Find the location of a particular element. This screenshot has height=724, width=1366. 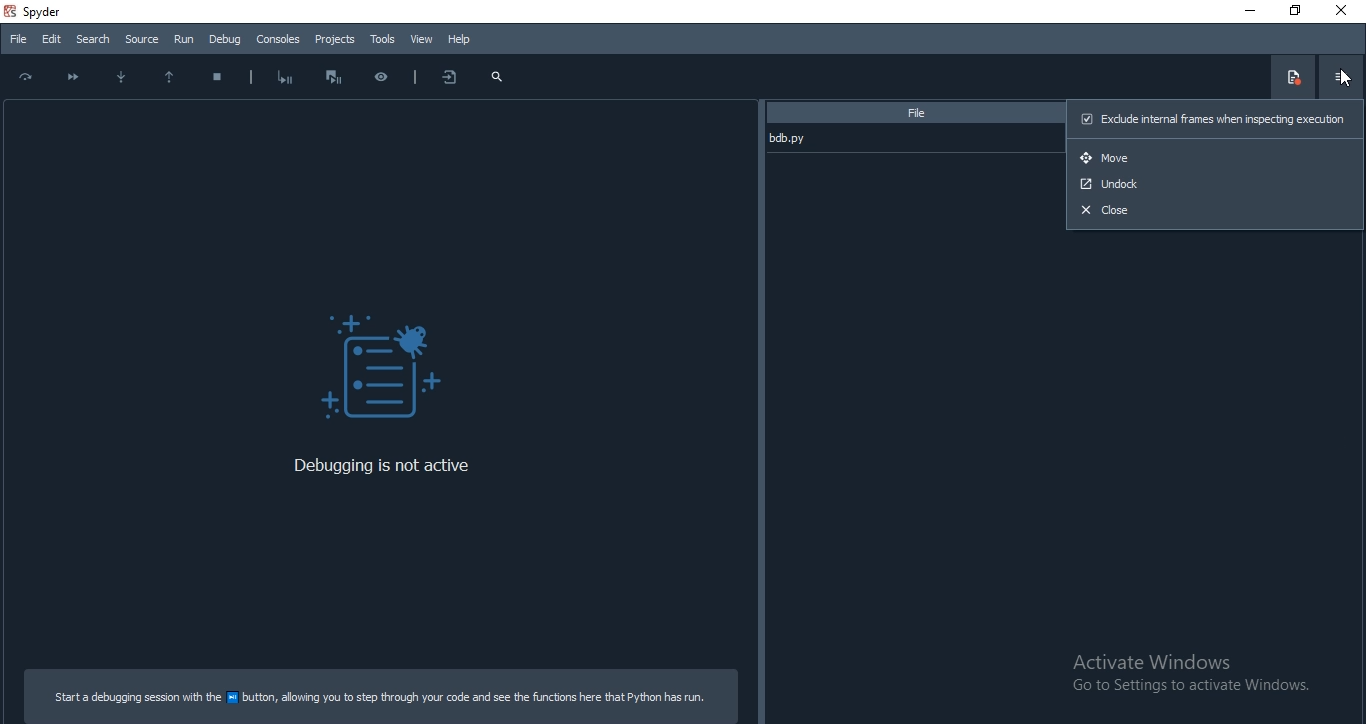

Continue execution until next breakpoint is located at coordinates (70, 75).